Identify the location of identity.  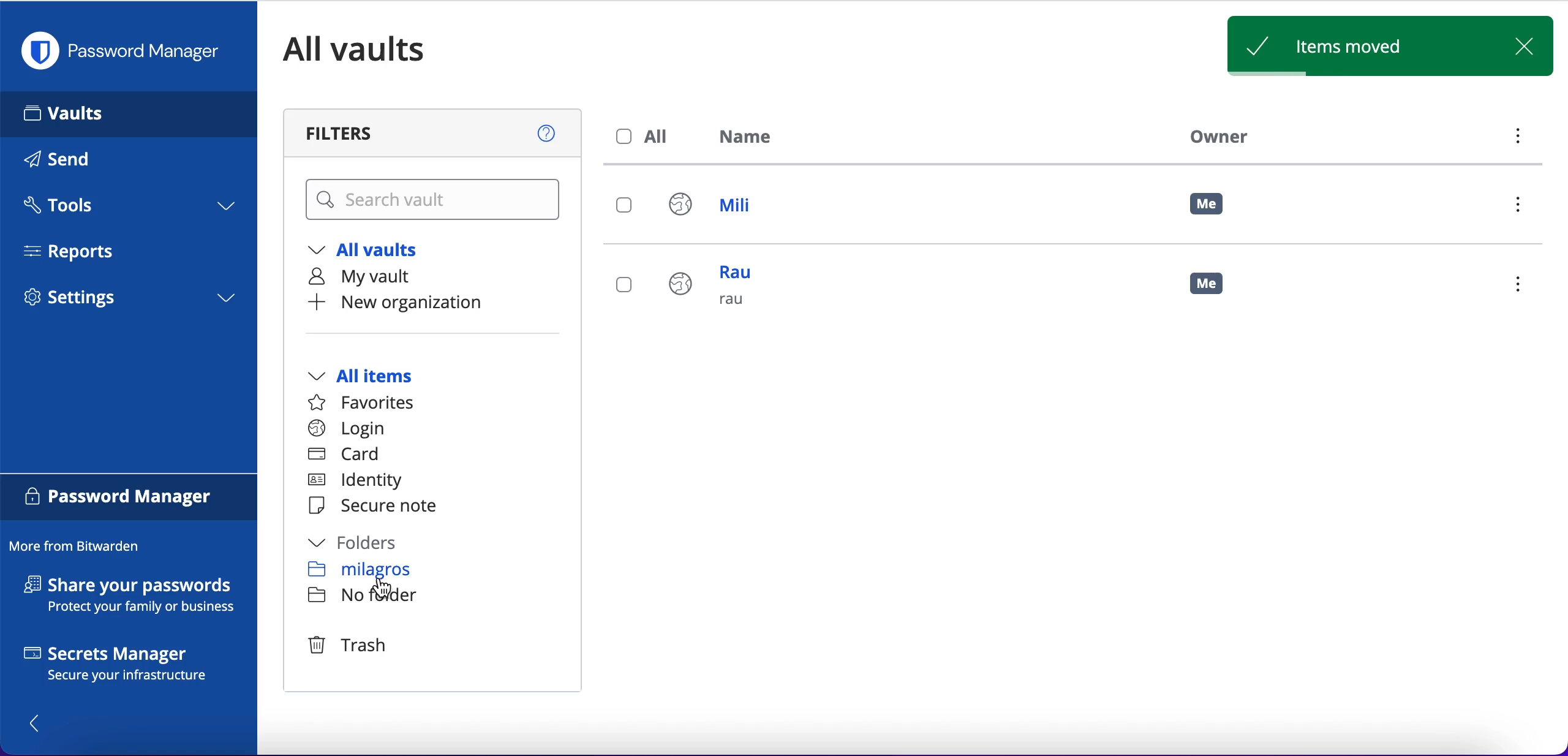
(361, 481).